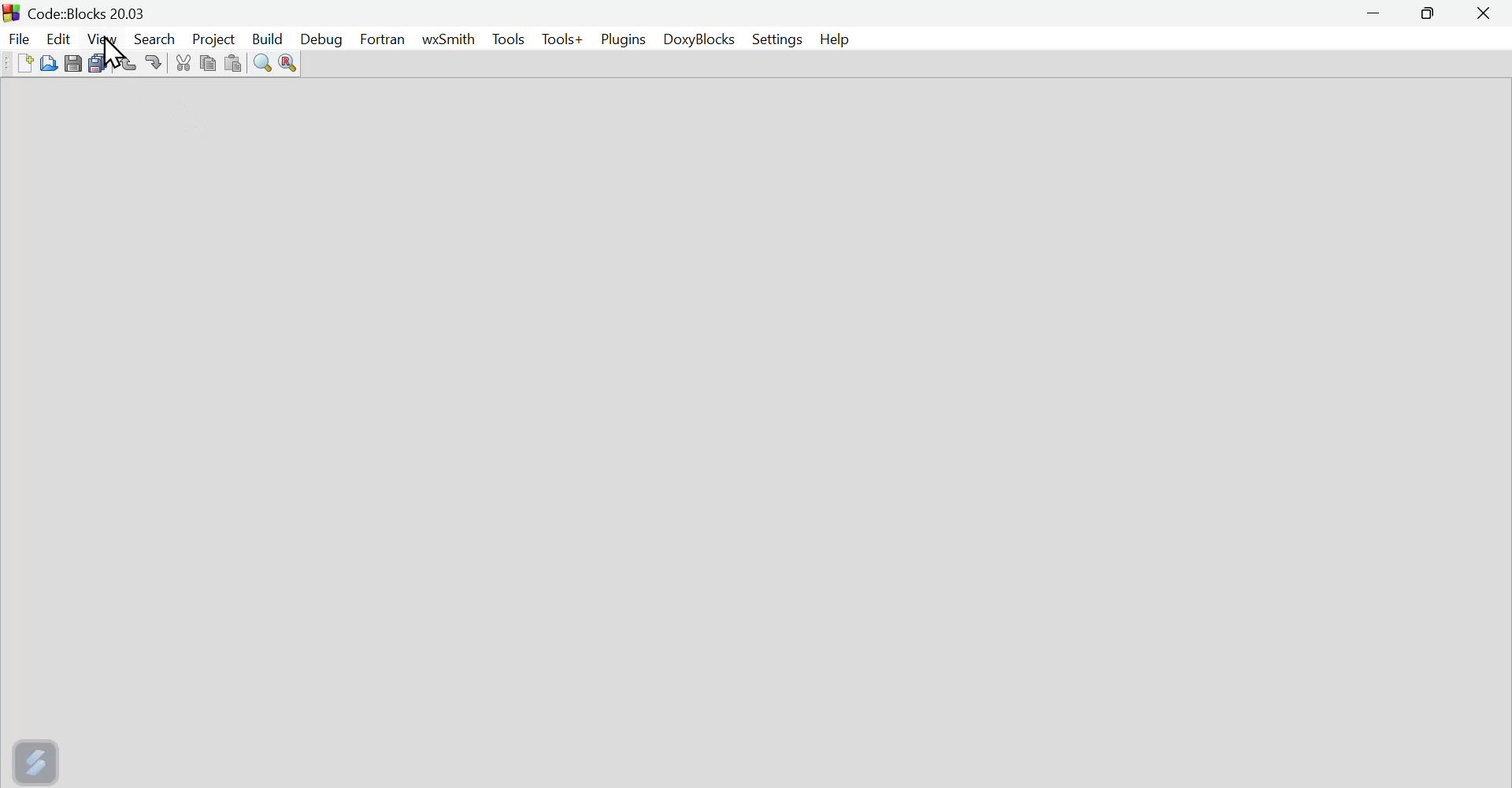 The height and width of the screenshot is (788, 1512). I want to click on new, so click(16, 63).